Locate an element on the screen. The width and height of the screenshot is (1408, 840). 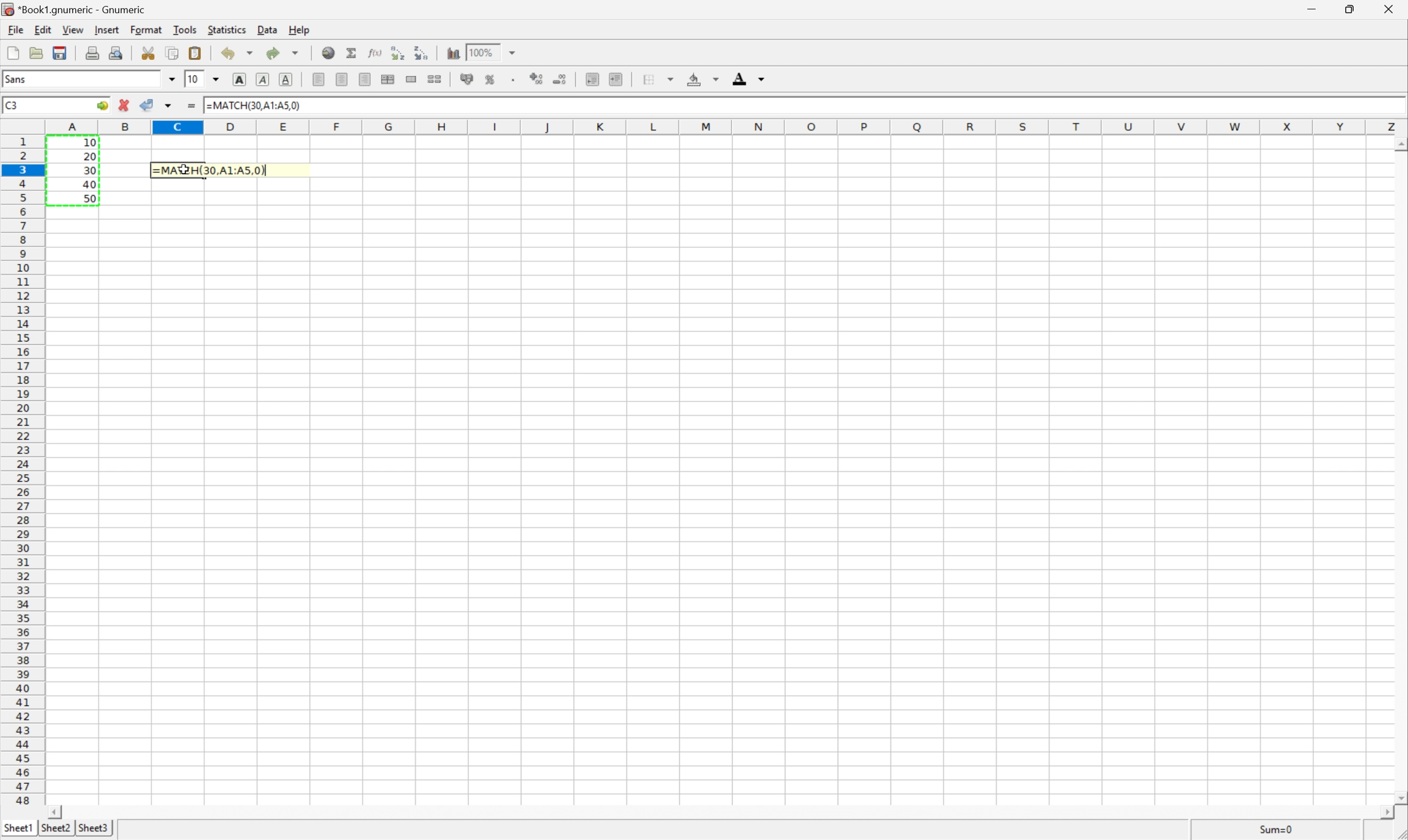
Sum=10 is located at coordinates (1270, 829).